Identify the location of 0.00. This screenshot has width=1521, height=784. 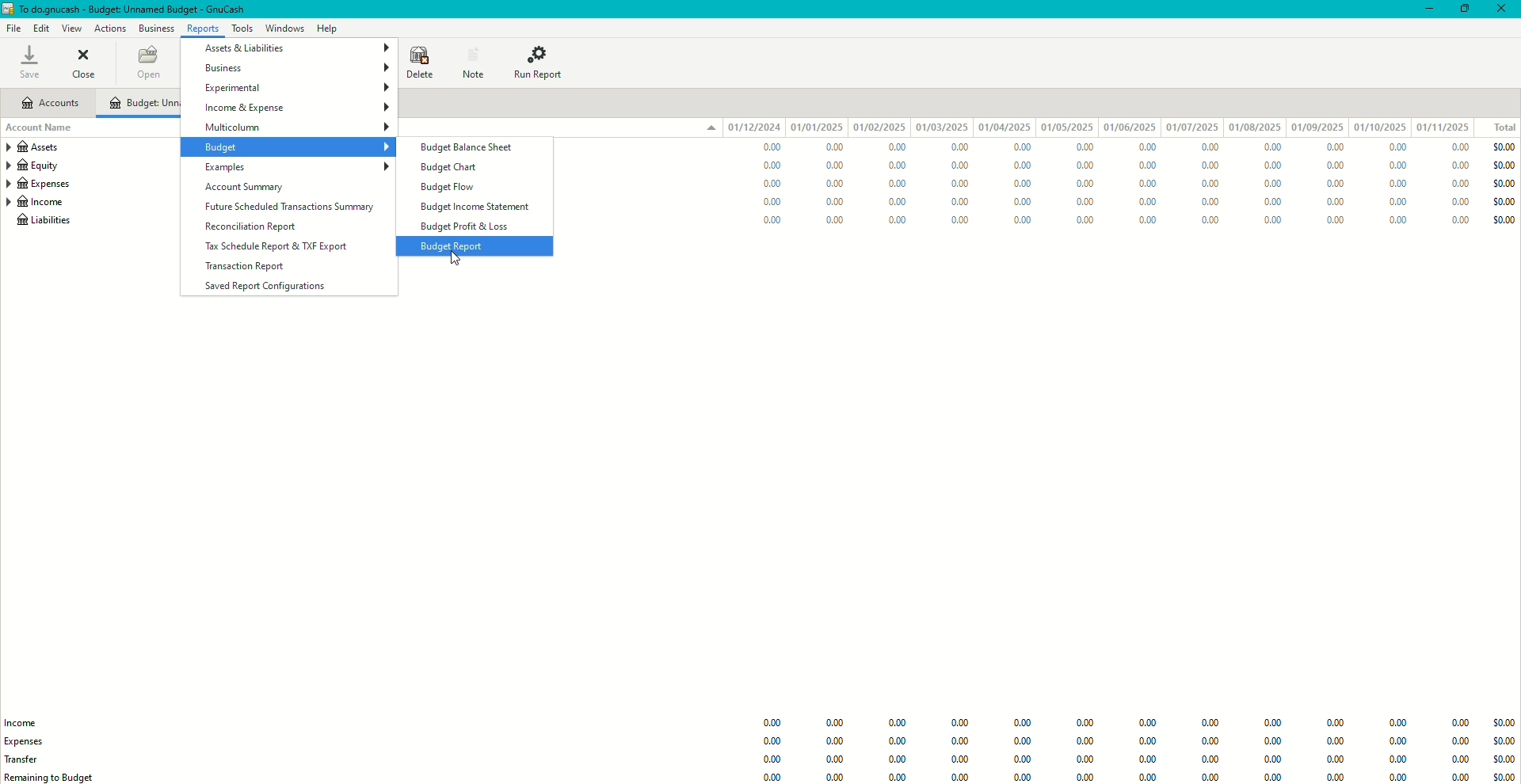
(767, 166).